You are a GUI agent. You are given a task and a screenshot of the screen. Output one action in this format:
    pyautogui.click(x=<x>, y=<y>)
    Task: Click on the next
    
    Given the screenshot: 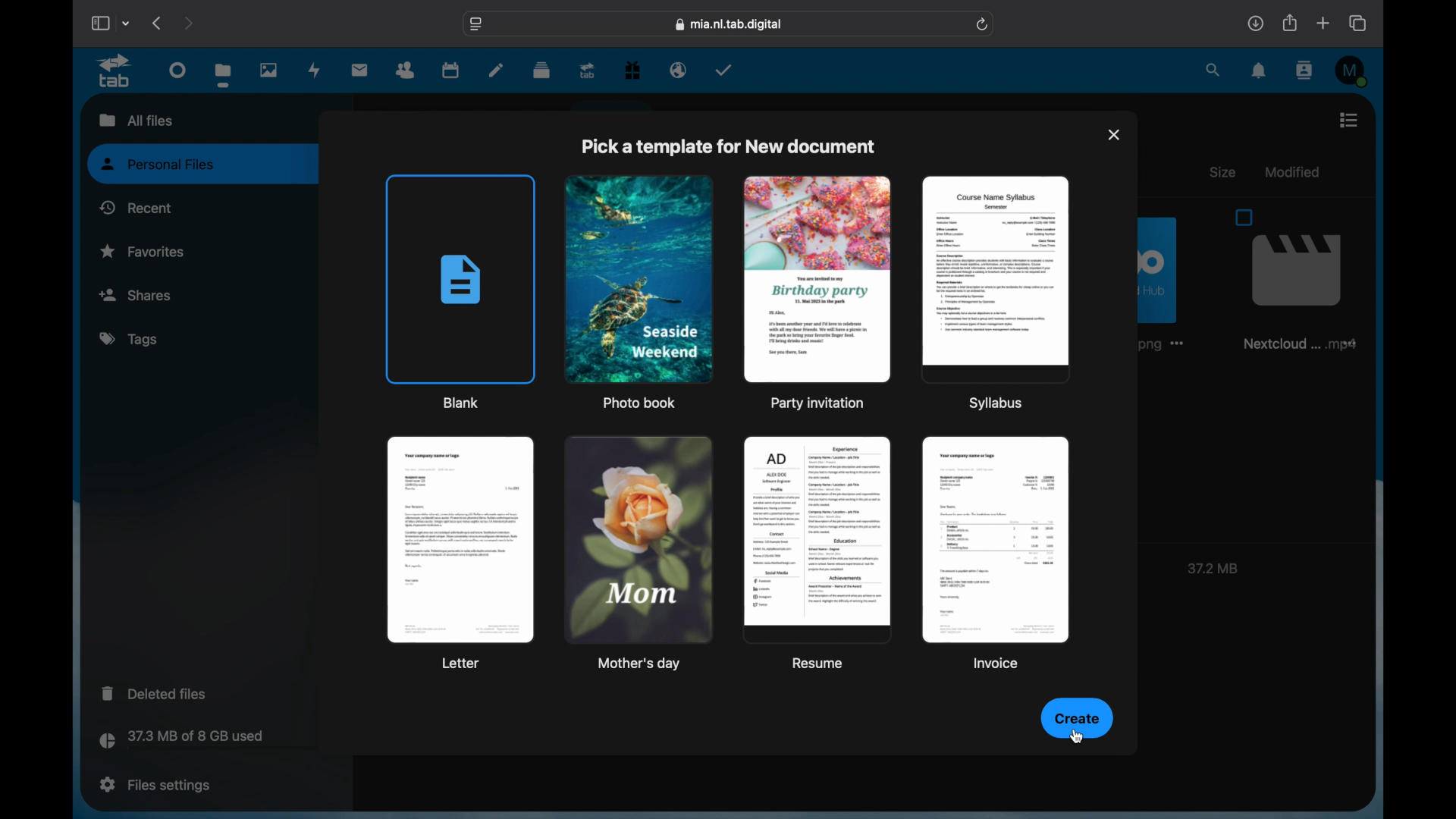 What is the action you would take?
    pyautogui.click(x=188, y=23)
    